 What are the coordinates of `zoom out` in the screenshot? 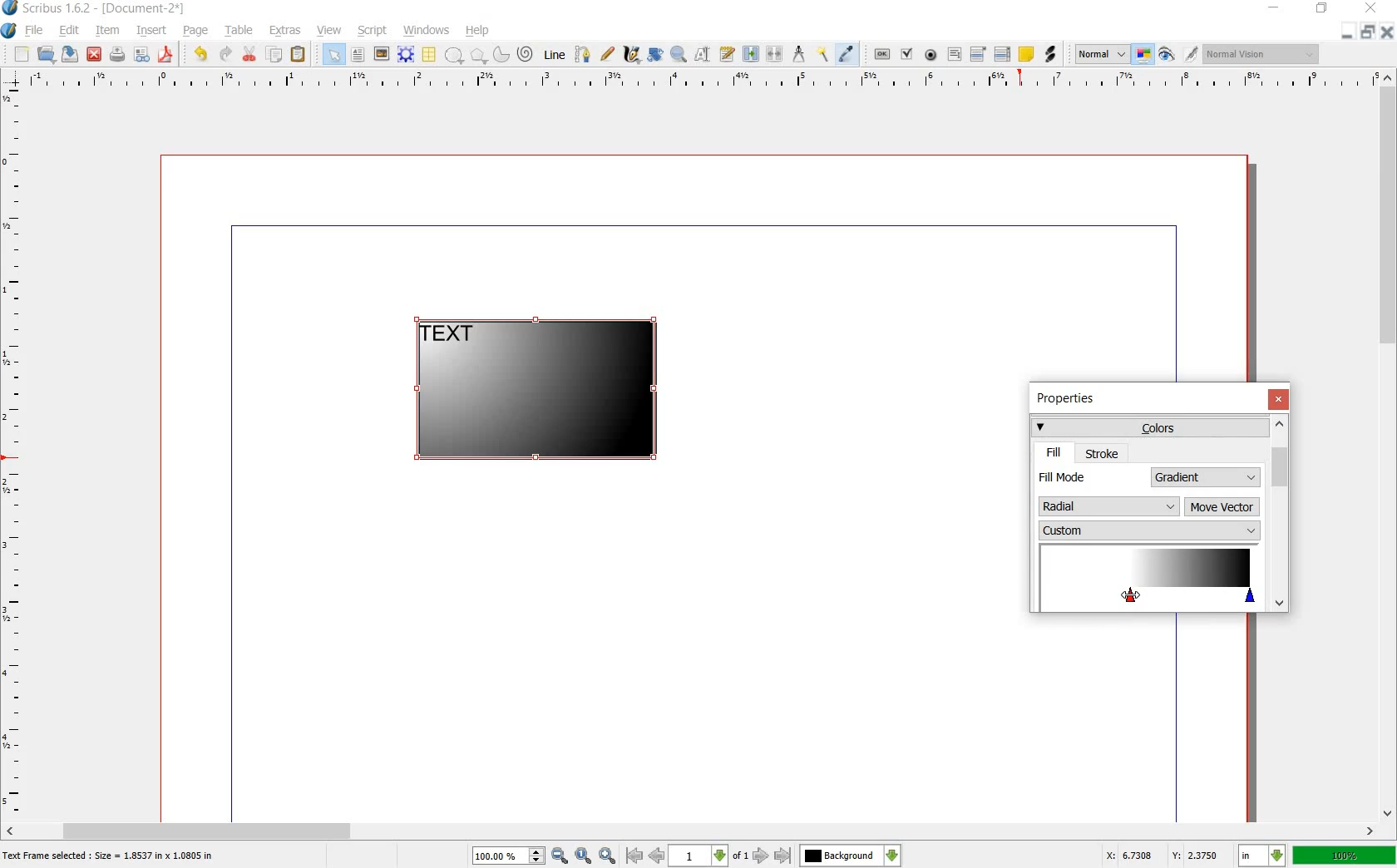 It's located at (560, 856).